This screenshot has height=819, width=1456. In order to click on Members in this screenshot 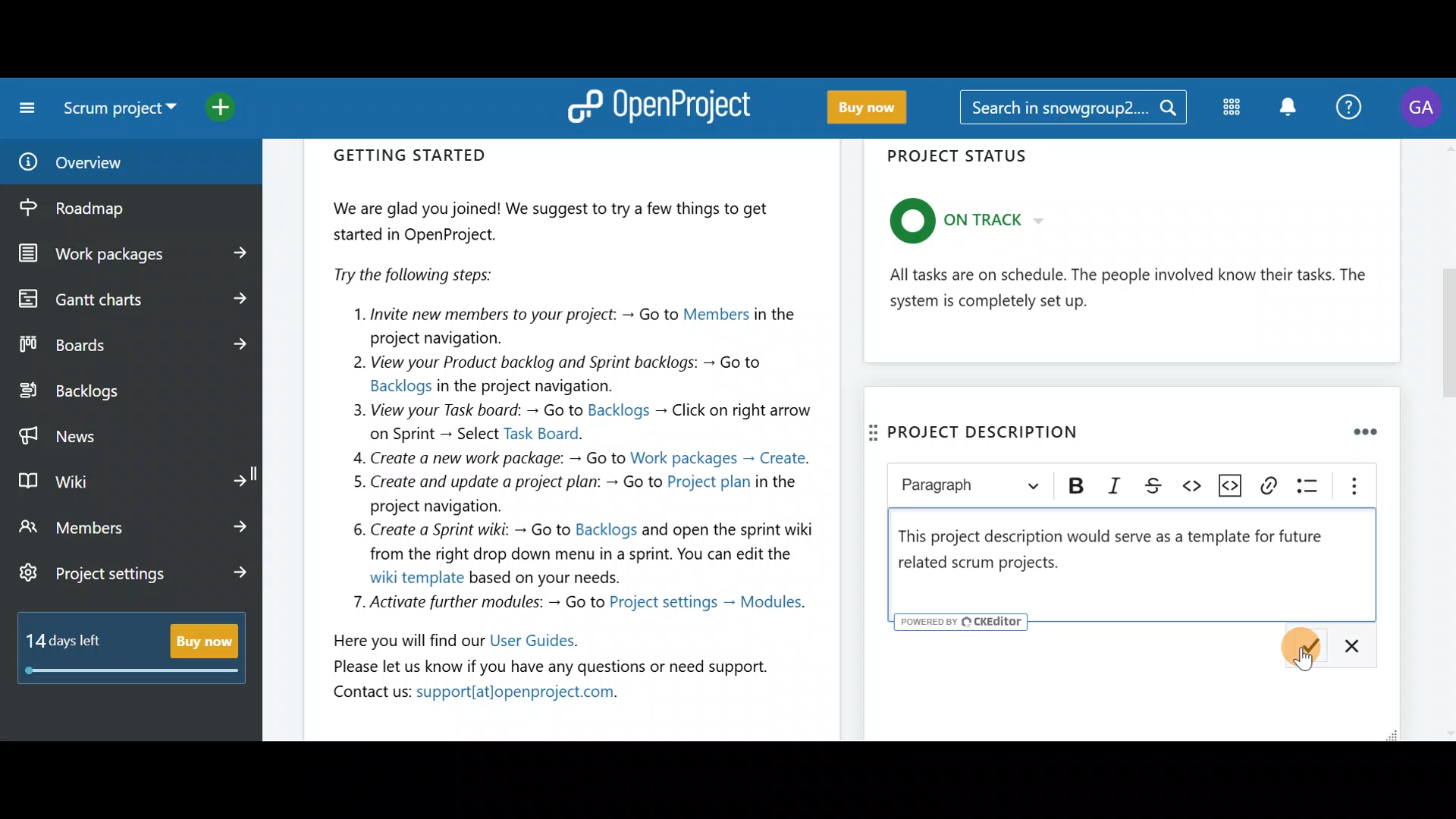, I will do `click(135, 526)`.